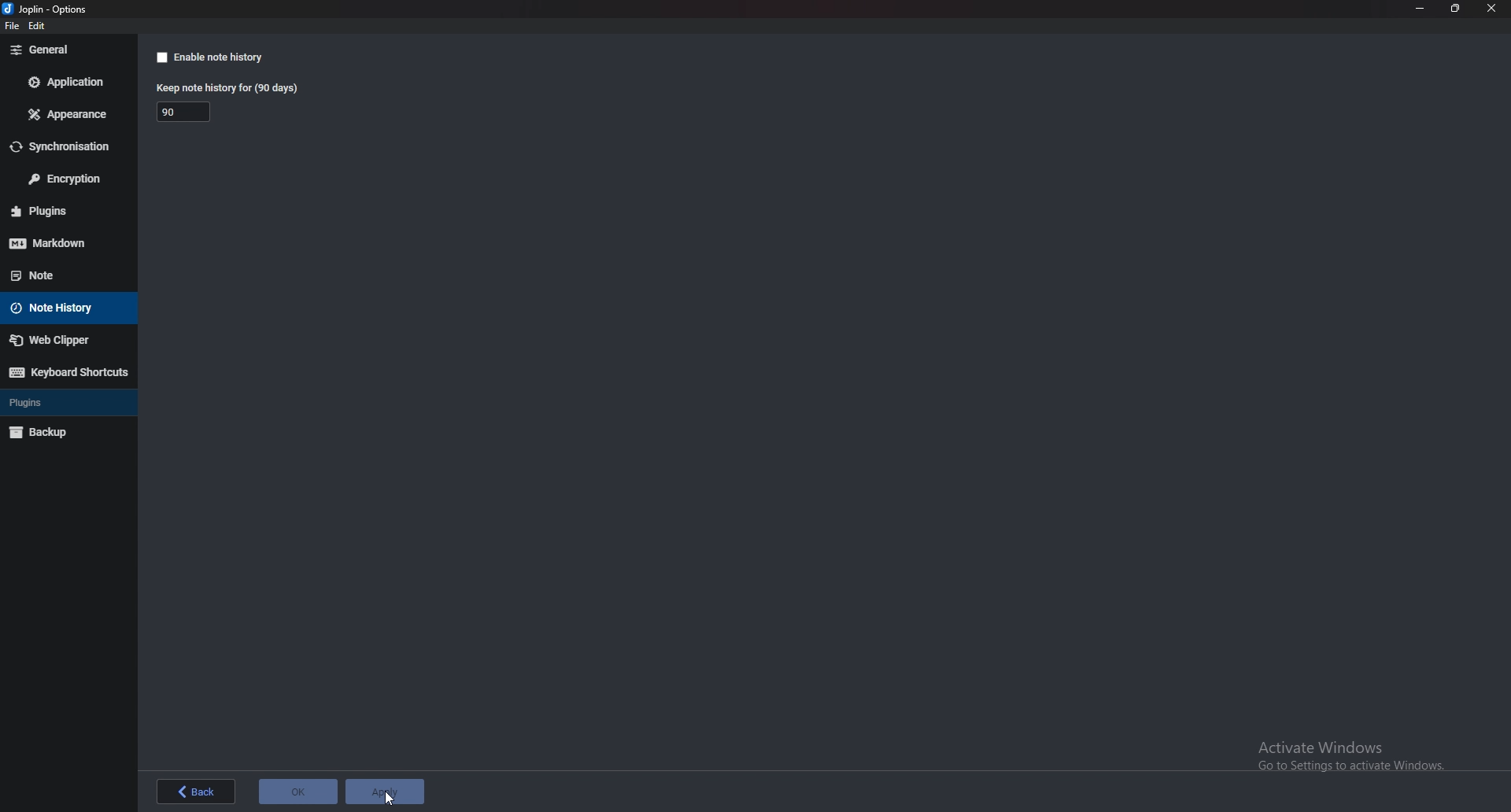  Describe the element at coordinates (1353, 758) in the screenshot. I see `Activate Windows Go to Settings to activate Windows` at that location.